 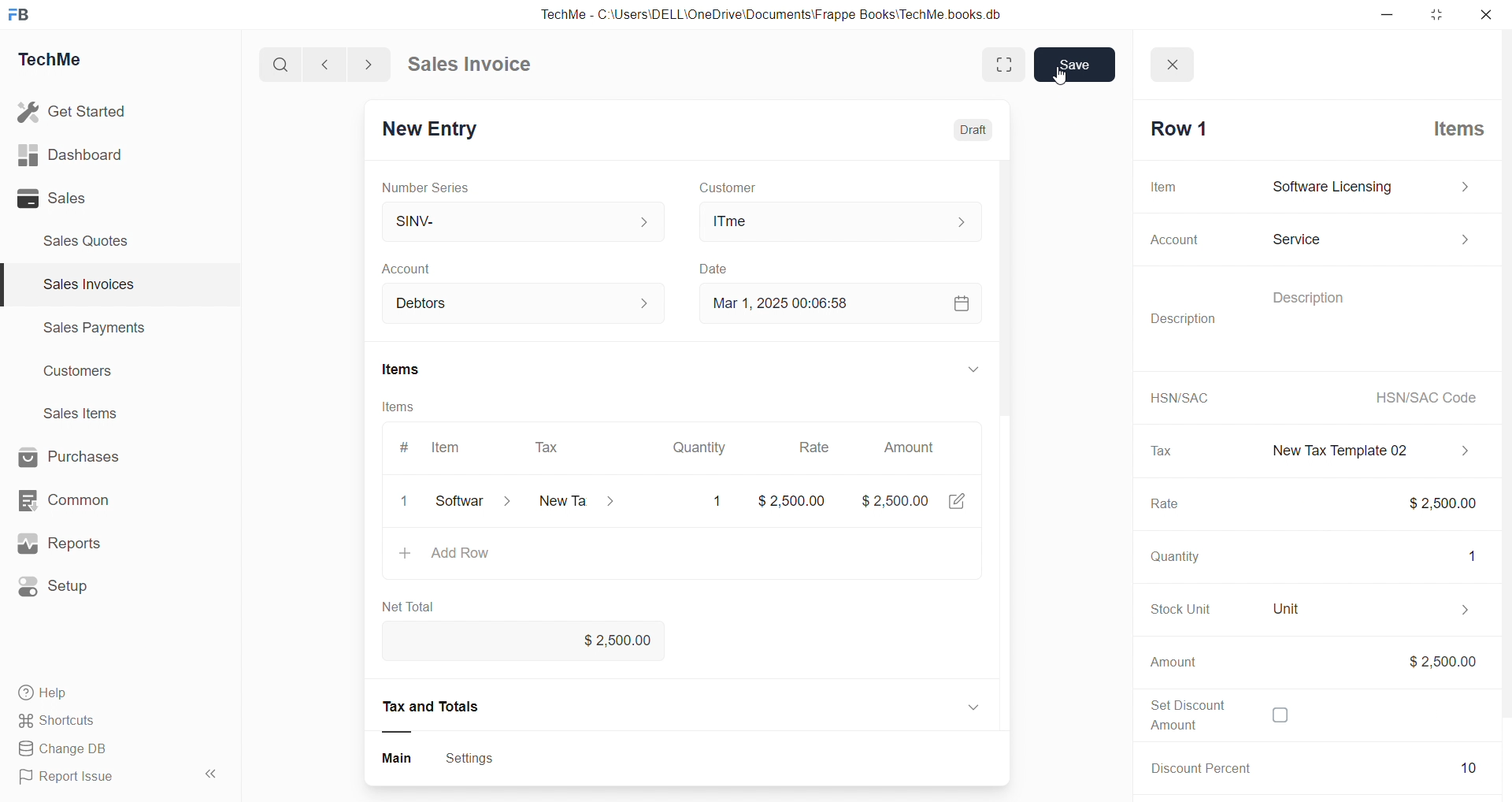 I want to click on 8 Sales, so click(x=55, y=198).